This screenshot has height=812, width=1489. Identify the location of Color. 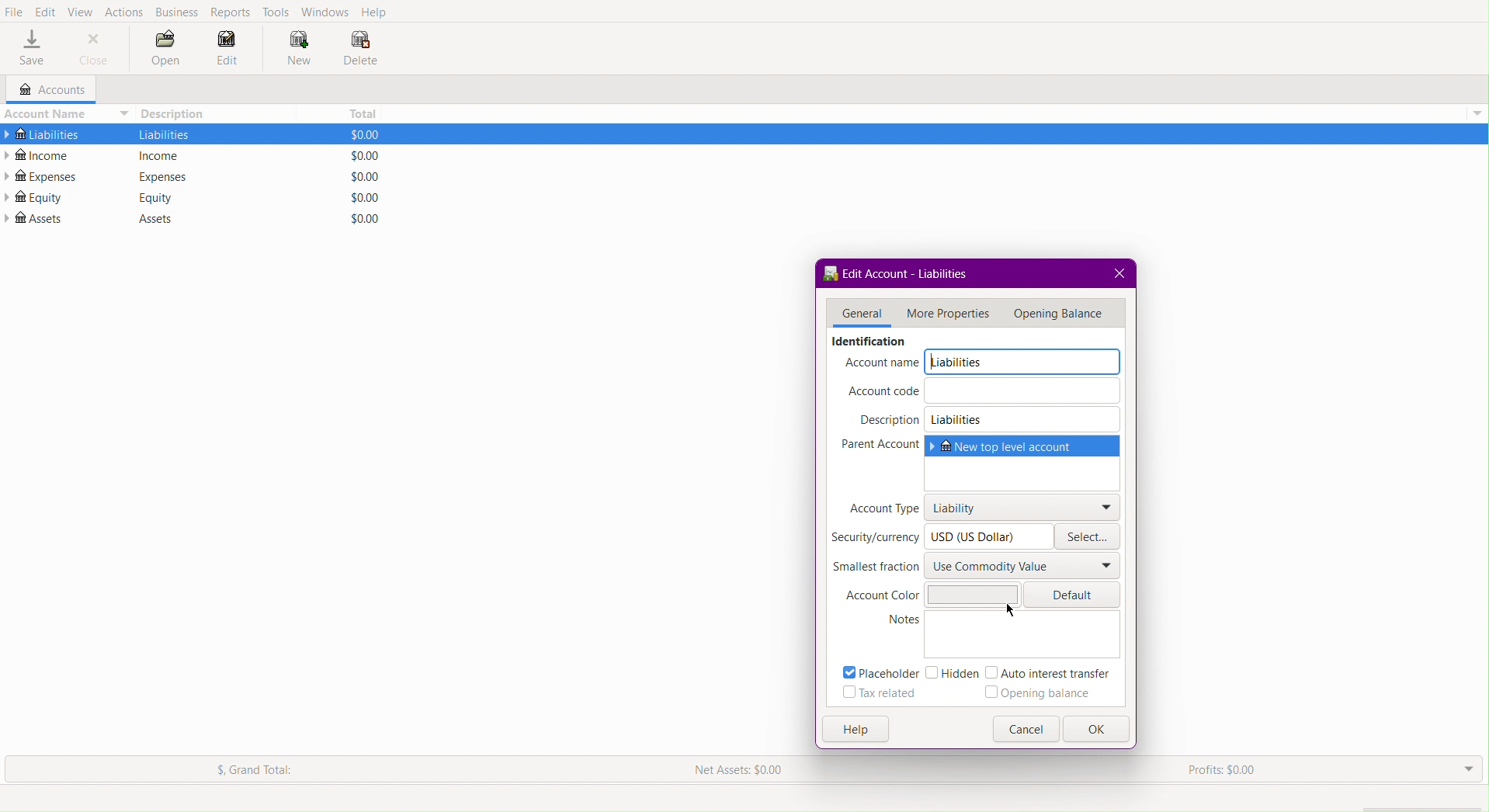
(972, 595).